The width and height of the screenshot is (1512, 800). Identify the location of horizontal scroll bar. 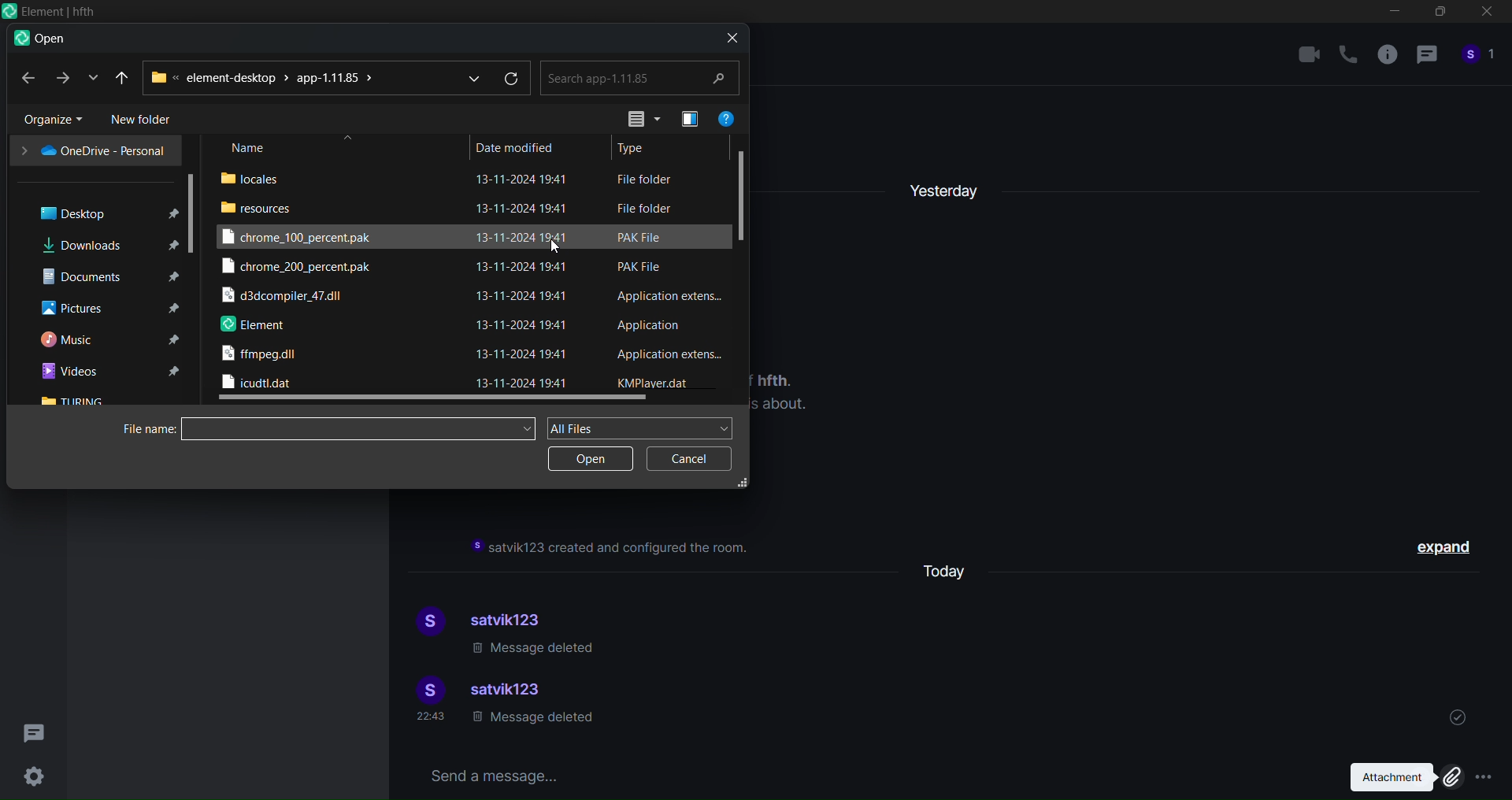
(434, 400).